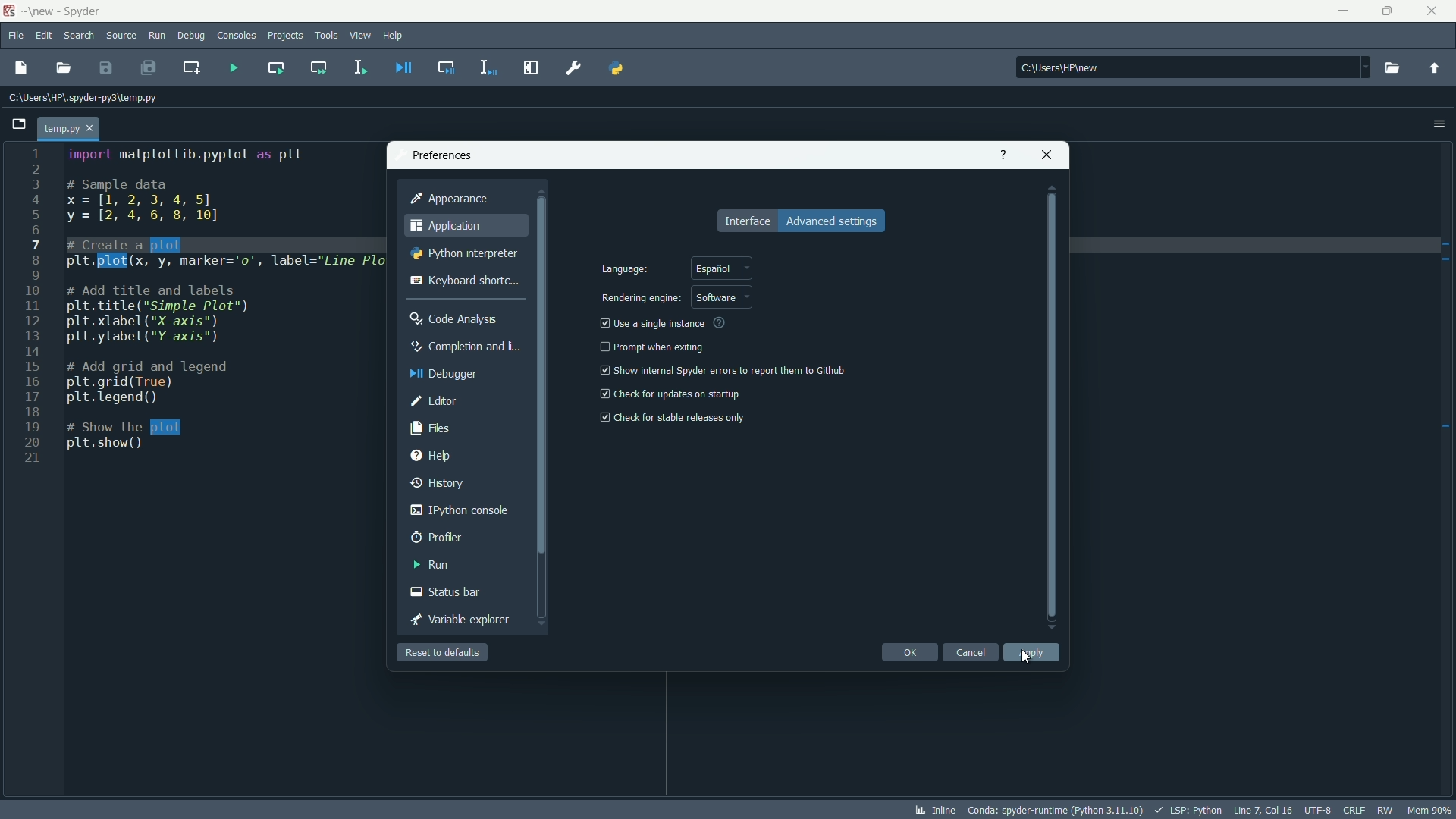 The image size is (1456, 819). I want to click on ok, so click(908, 653).